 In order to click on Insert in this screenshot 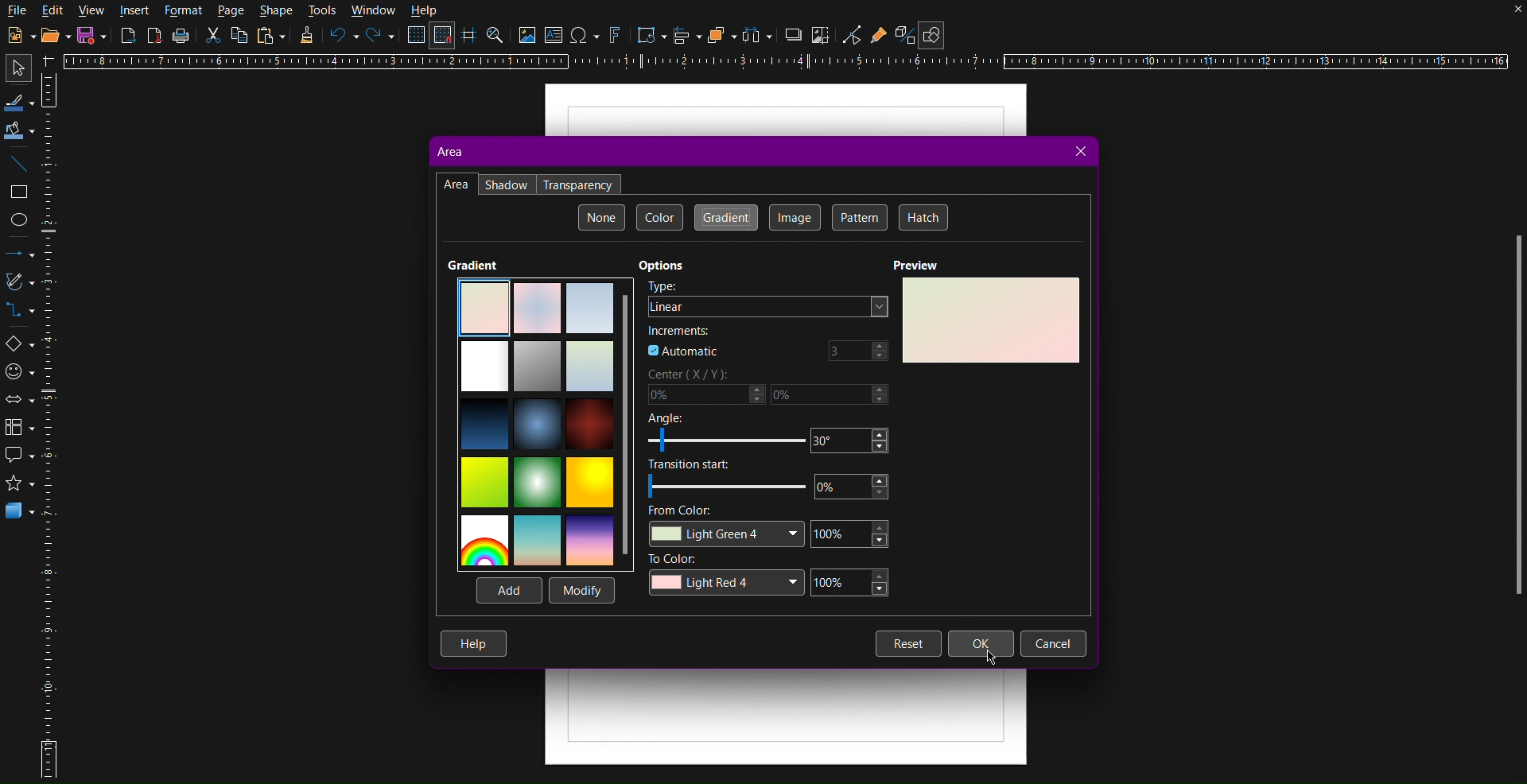, I will do `click(136, 12)`.